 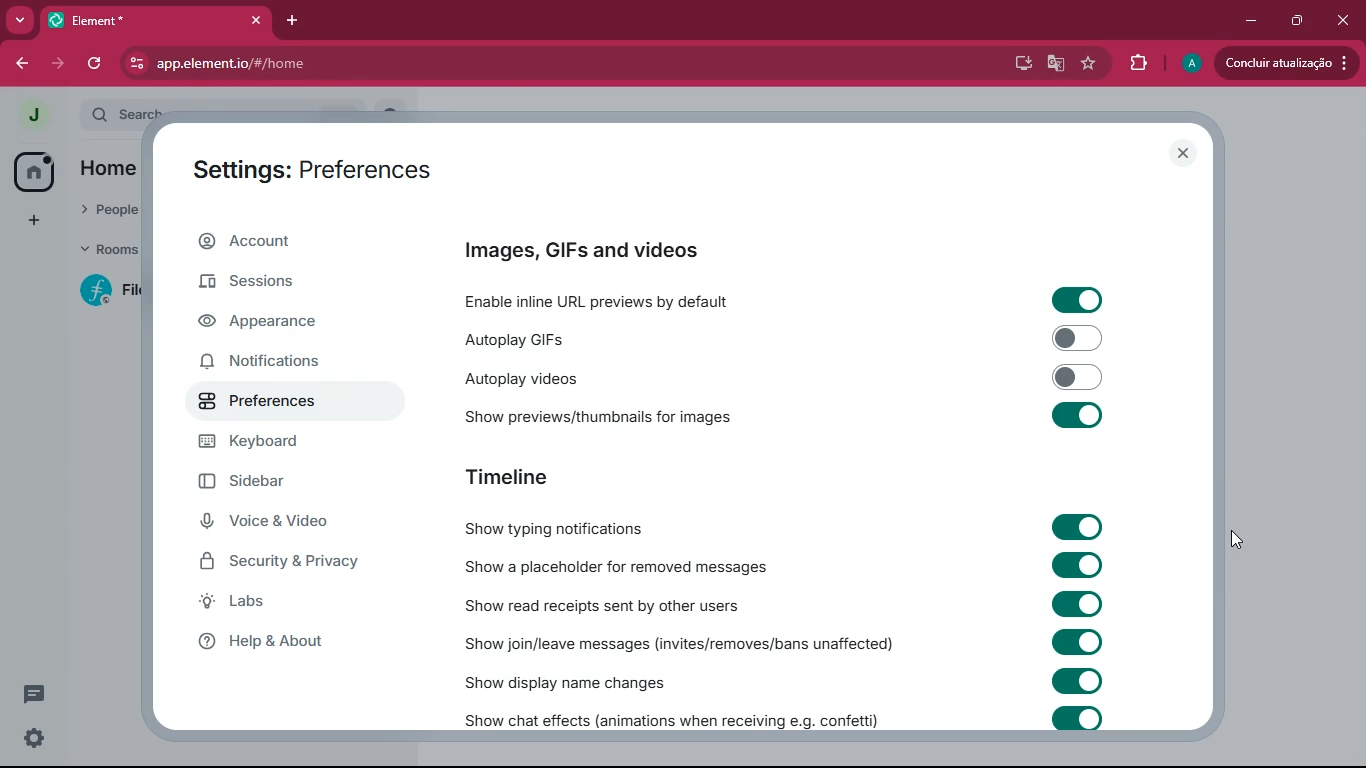 I want to click on toggle on/off, so click(x=1079, y=719).